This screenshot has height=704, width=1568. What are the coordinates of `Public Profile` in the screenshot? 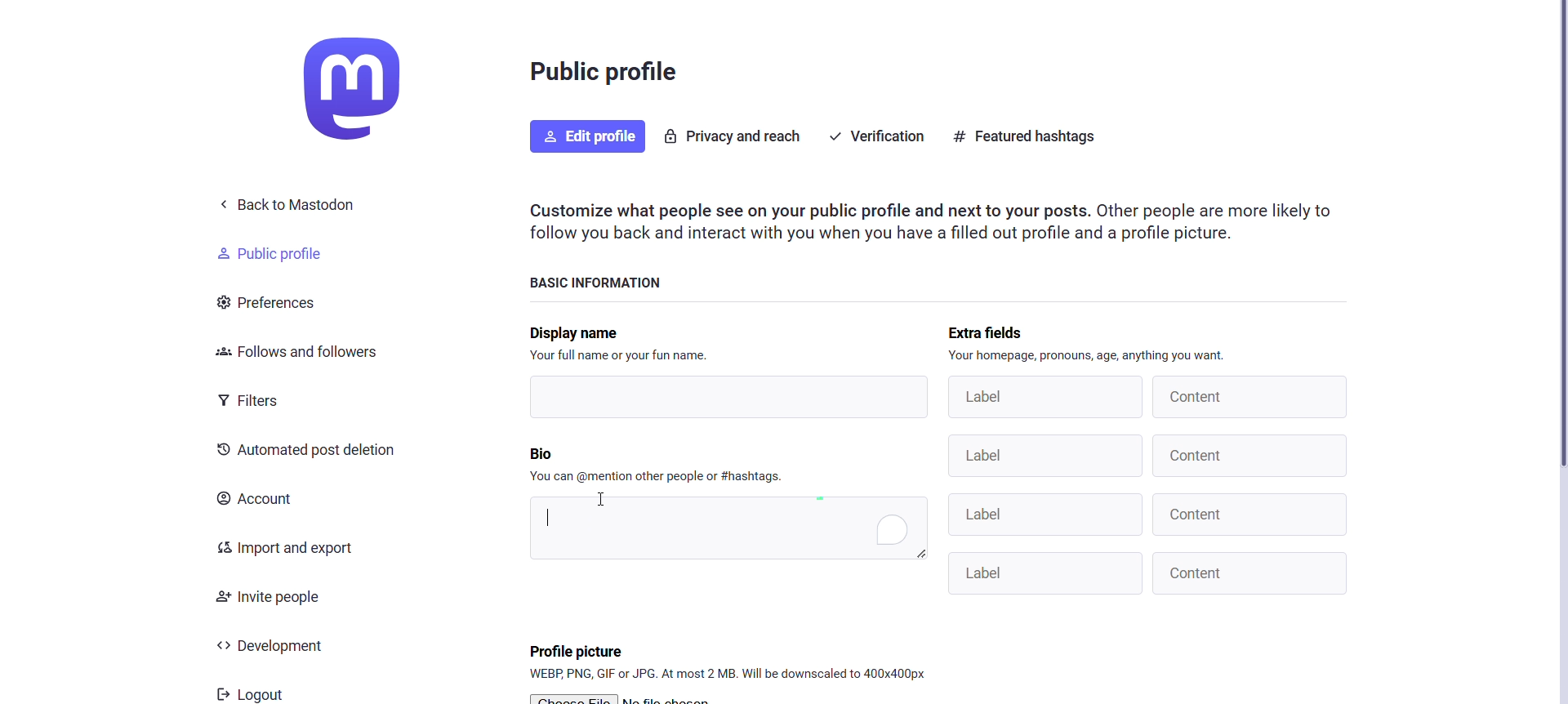 It's located at (607, 76).